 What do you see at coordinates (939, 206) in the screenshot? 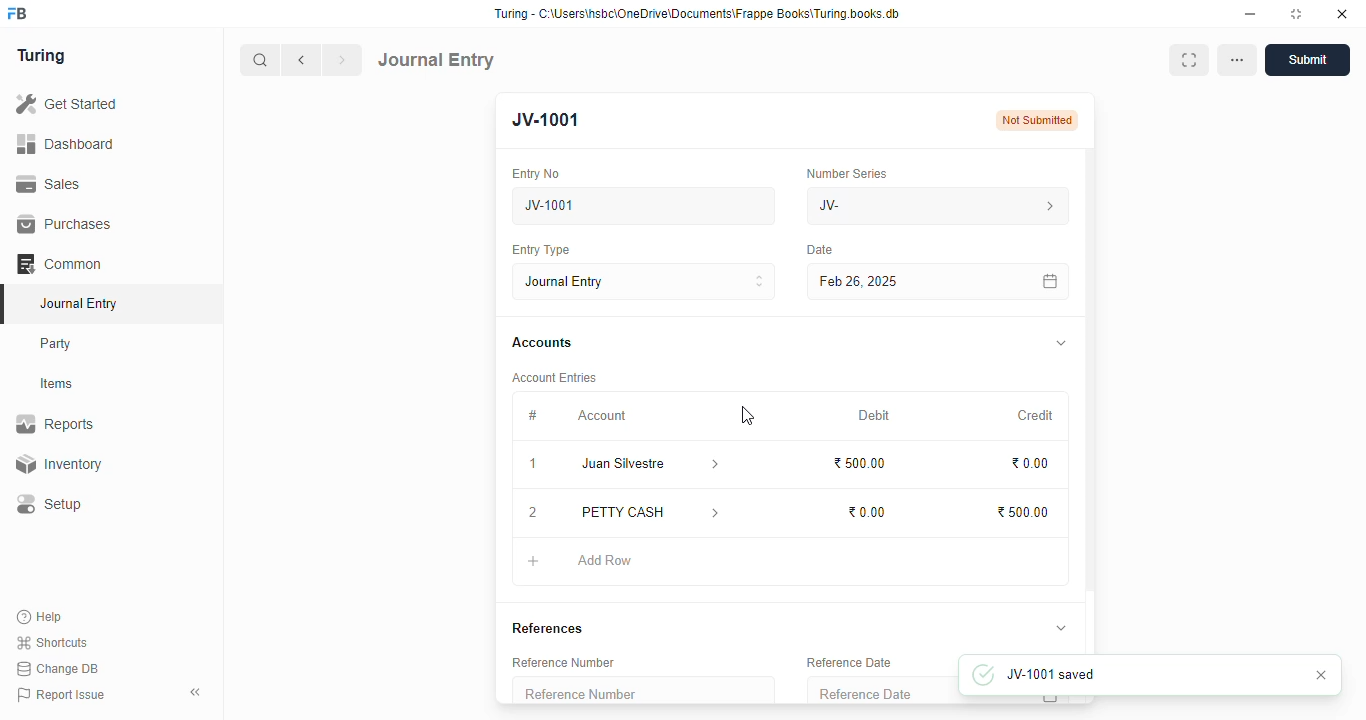
I see `JV-` at bounding box center [939, 206].